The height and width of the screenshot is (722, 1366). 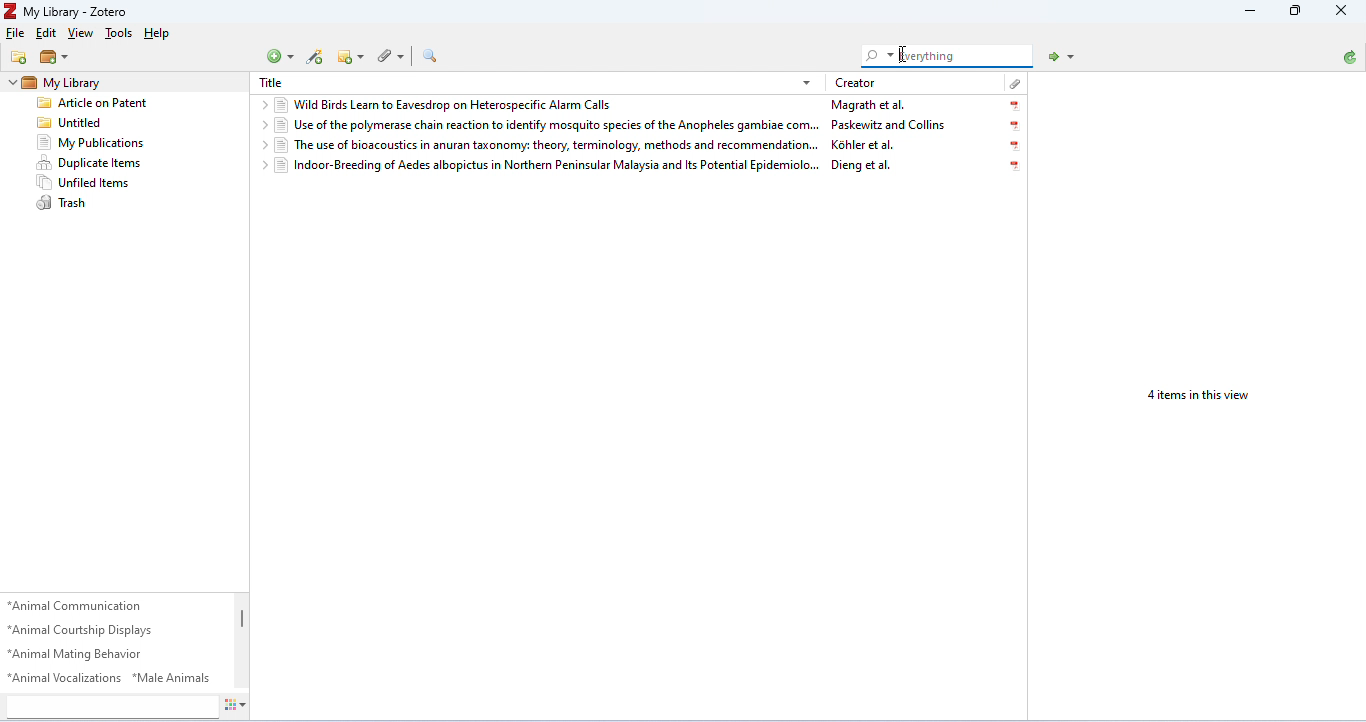 I want to click on The use of bioacoustics in anuran taxonomy: theory, terminology, methods and recommendation... Kohler et al., so click(x=640, y=146).